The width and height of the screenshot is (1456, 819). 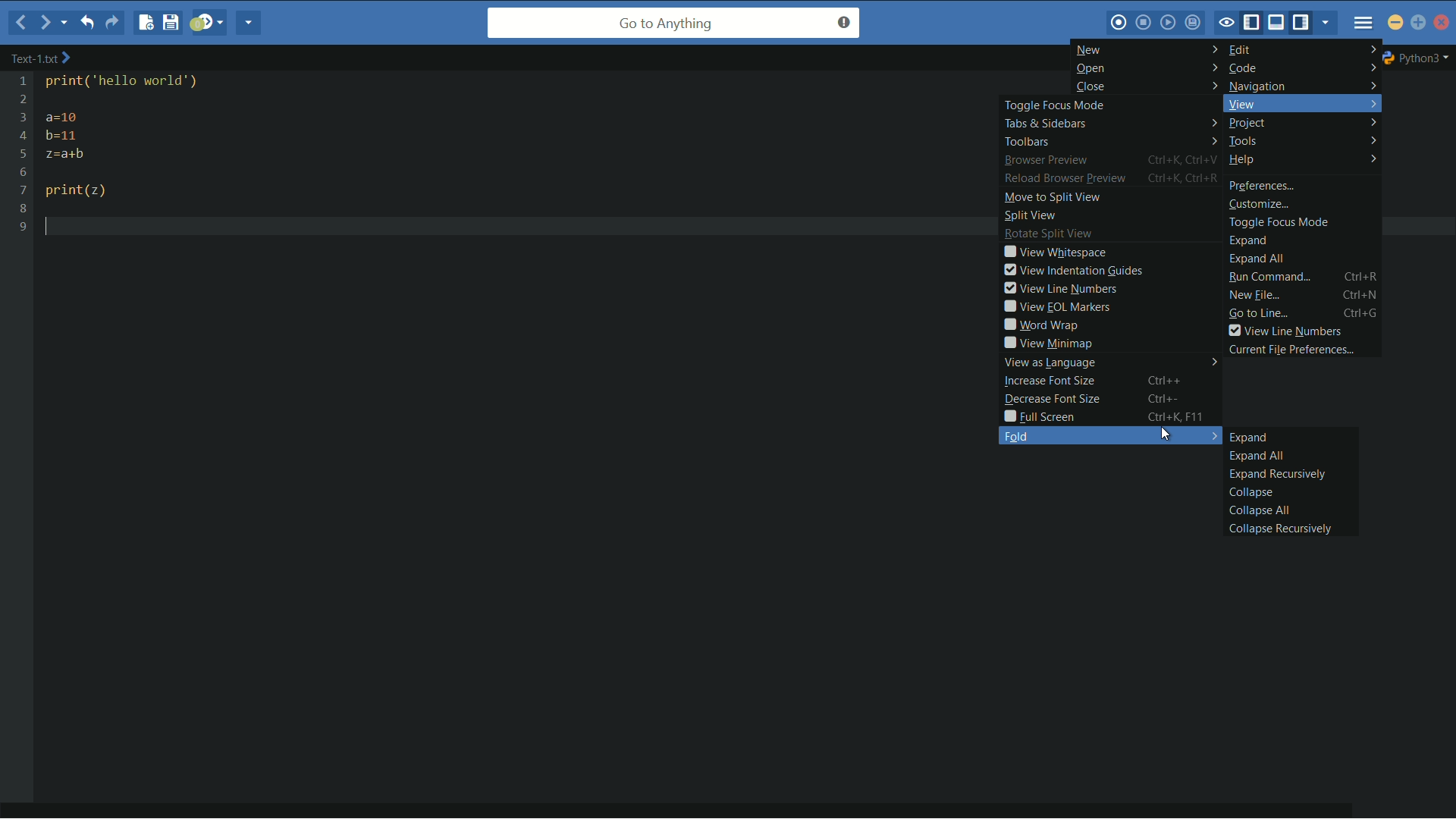 I want to click on new file, so click(x=143, y=23).